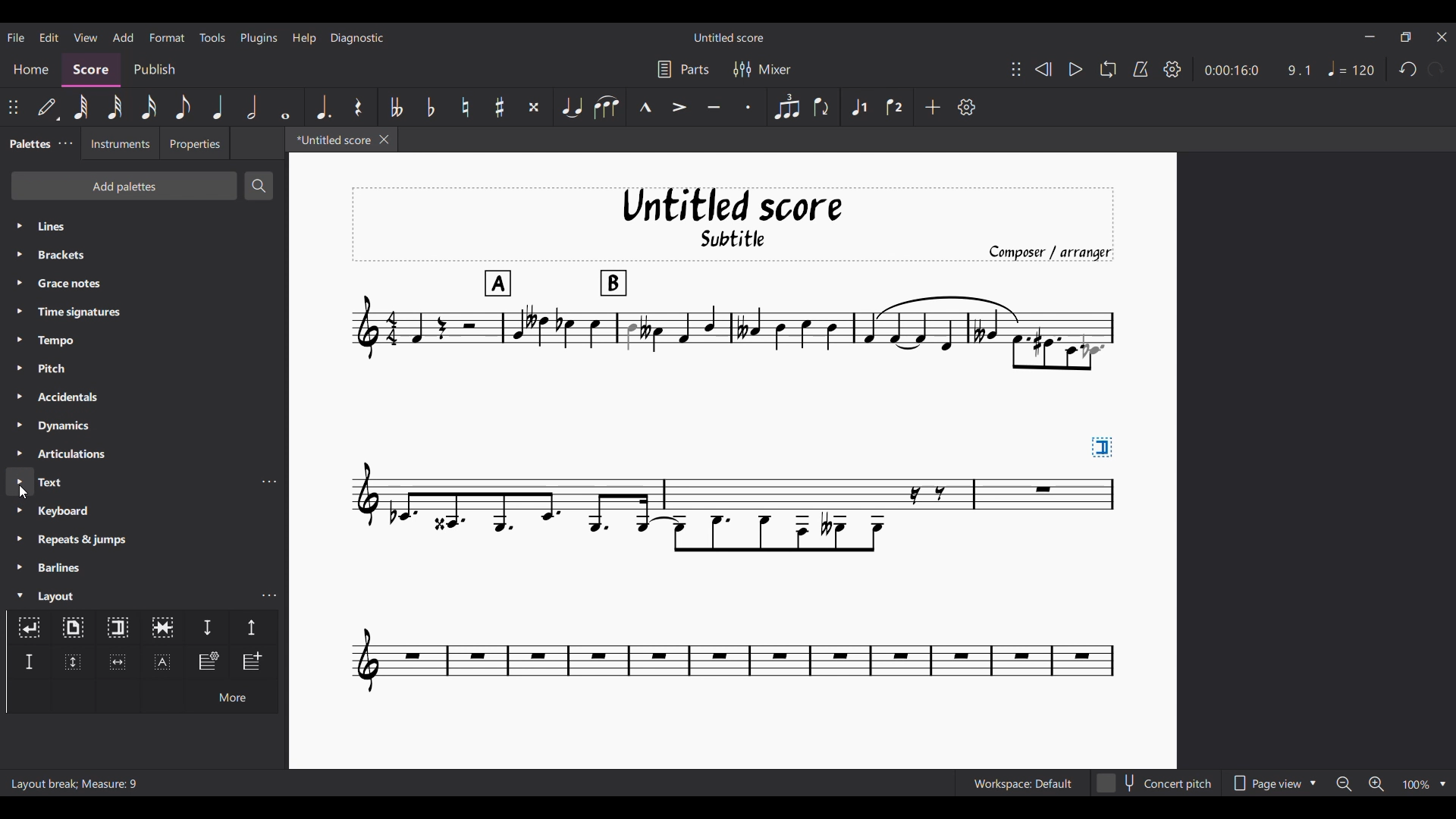 This screenshot has width=1456, height=819. I want to click on Repeats and jumps, so click(143, 540).